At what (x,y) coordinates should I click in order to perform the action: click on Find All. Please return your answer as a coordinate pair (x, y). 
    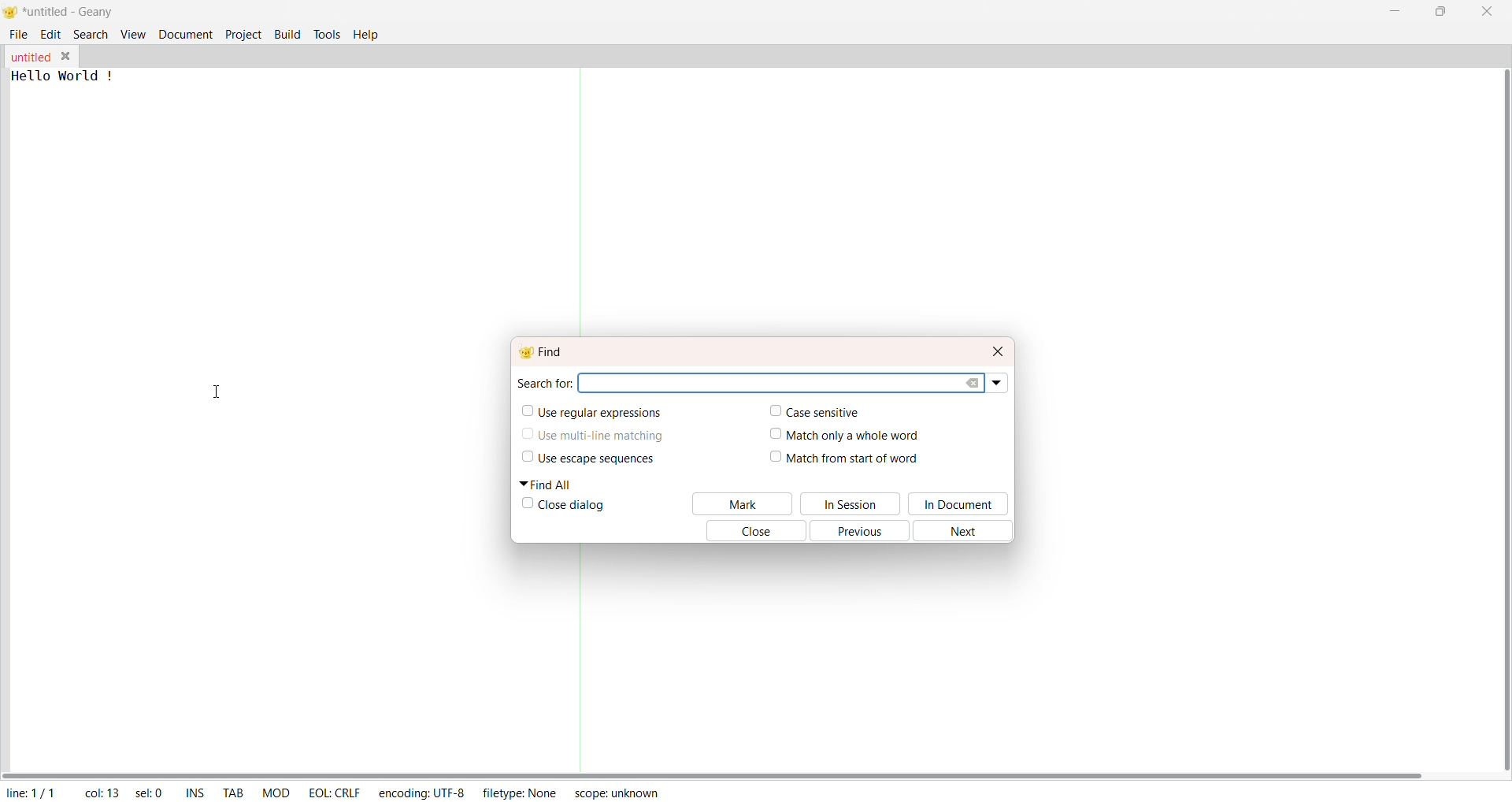
    Looking at the image, I should click on (551, 485).